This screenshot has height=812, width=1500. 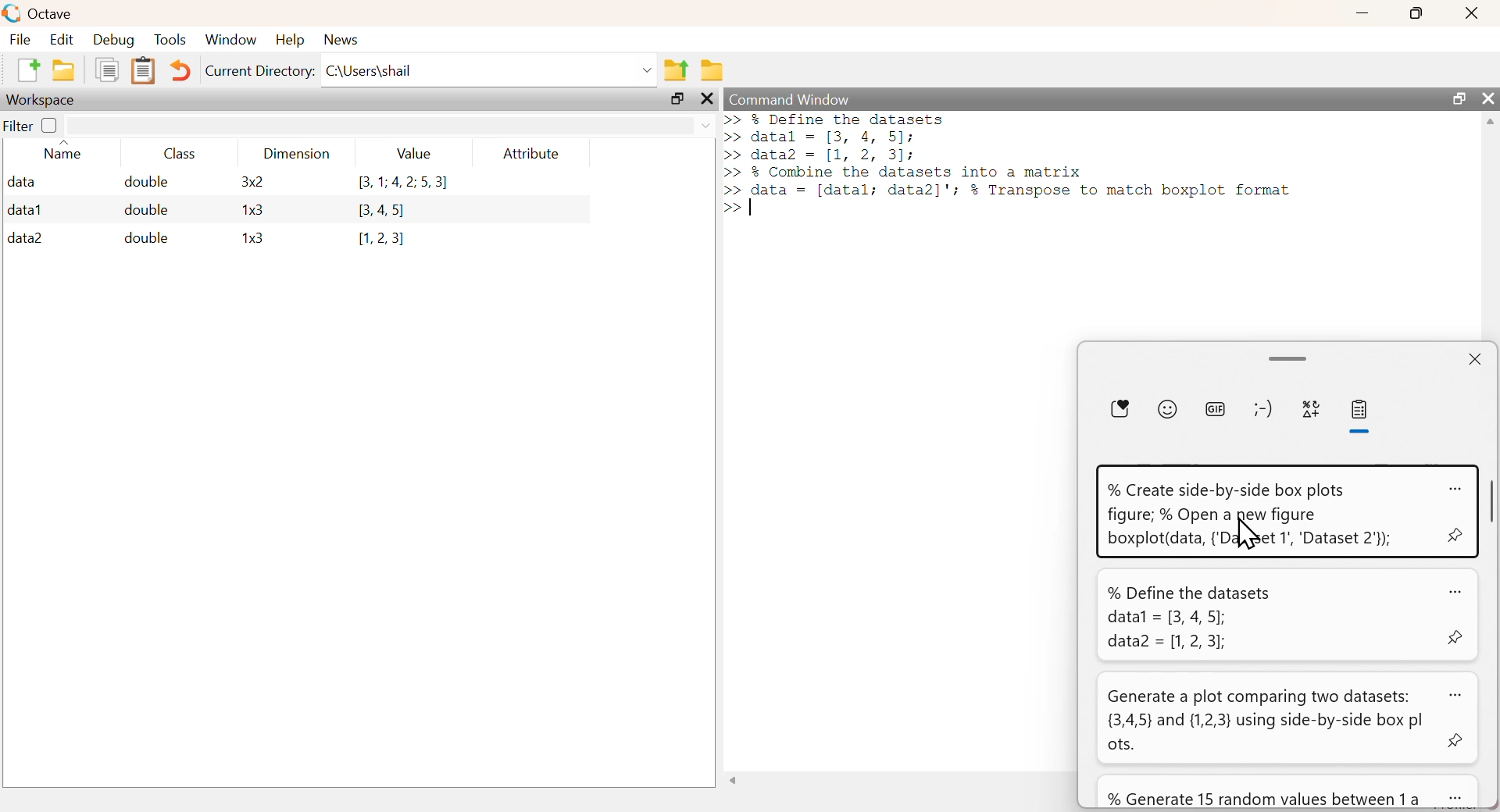 What do you see at coordinates (261, 72) in the screenshot?
I see `Current Directory:` at bounding box center [261, 72].